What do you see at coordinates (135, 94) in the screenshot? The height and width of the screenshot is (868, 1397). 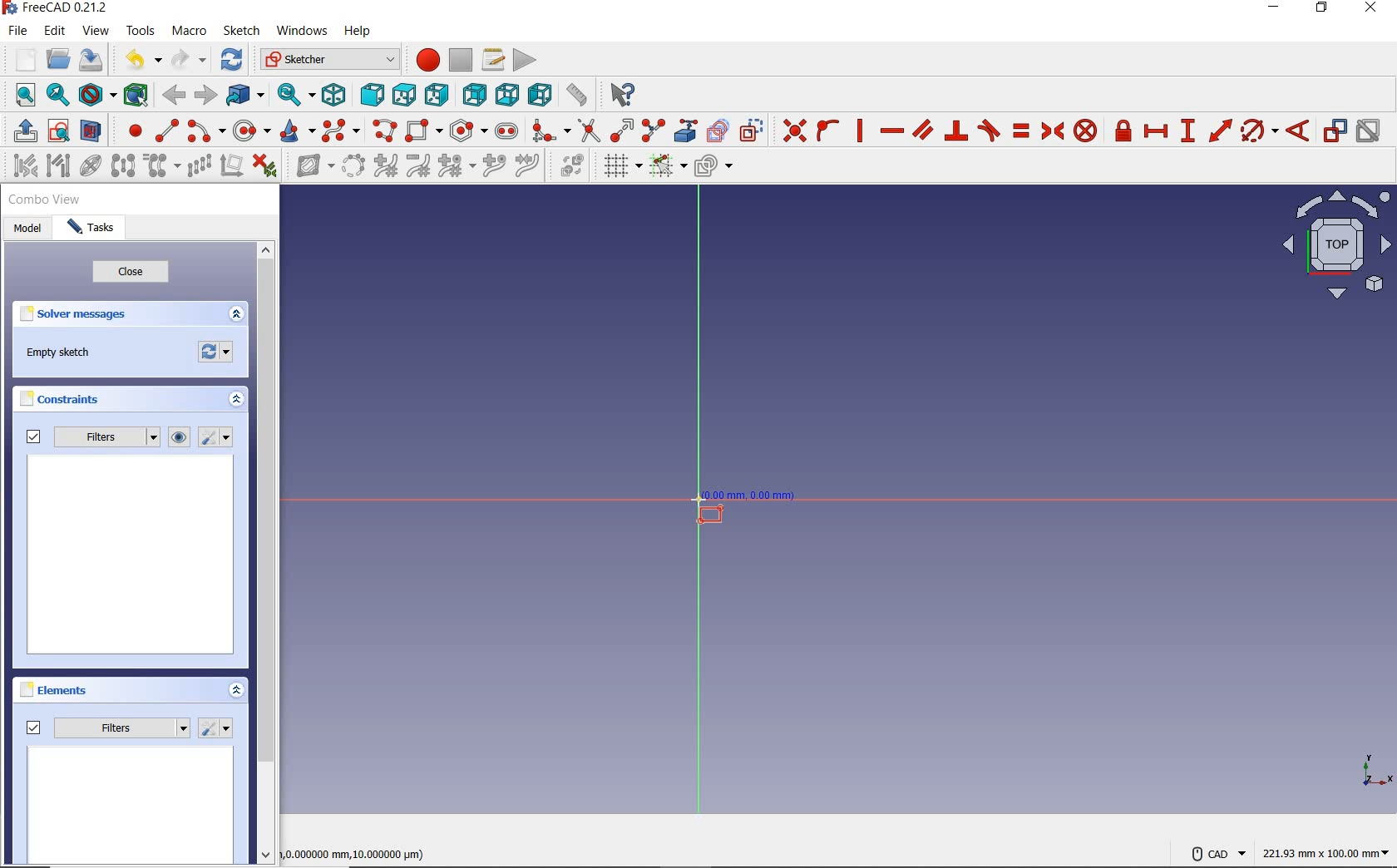 I see `bounding box` at bounding box center [135, 94].